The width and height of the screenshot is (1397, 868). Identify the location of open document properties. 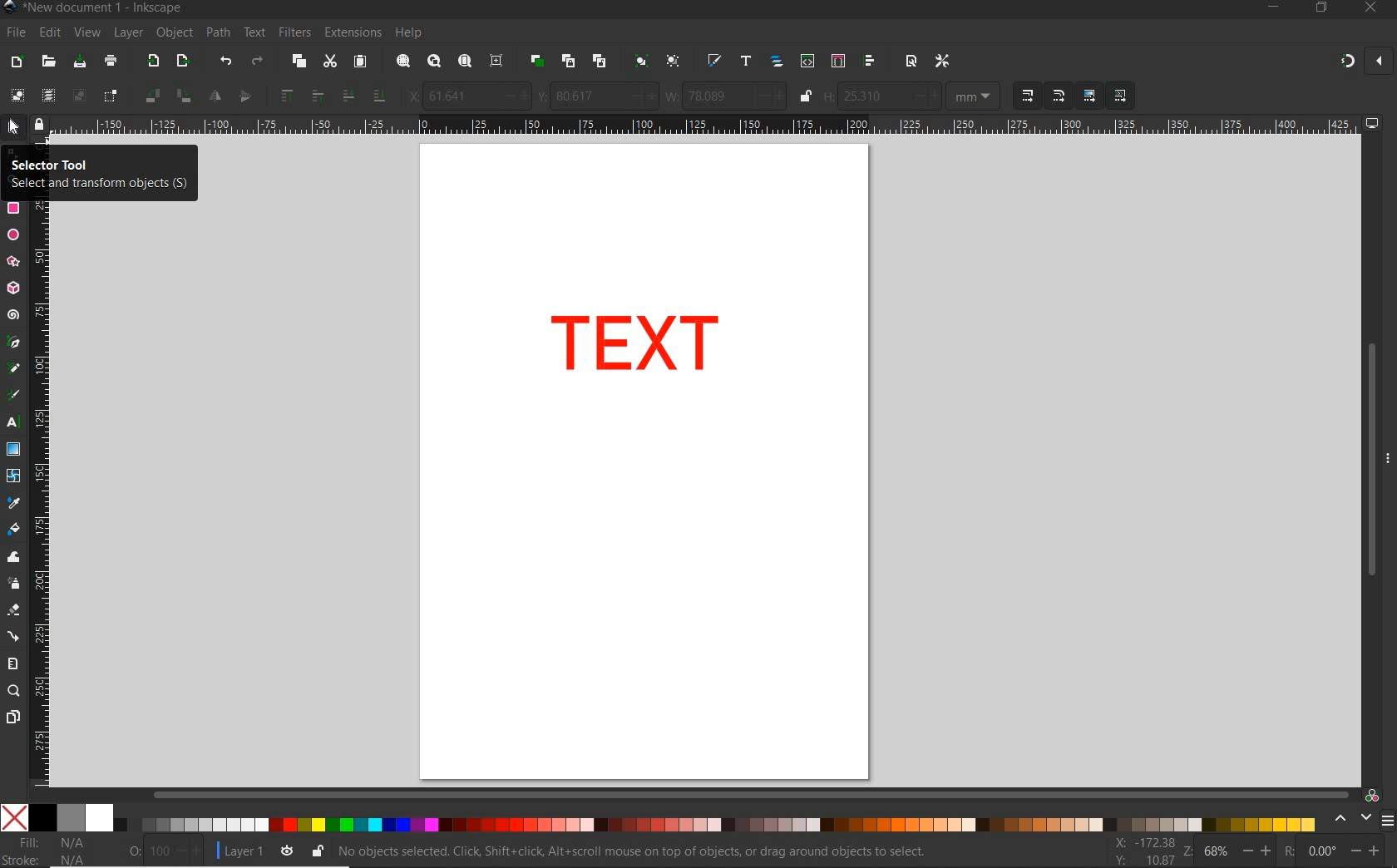
(911, 61).